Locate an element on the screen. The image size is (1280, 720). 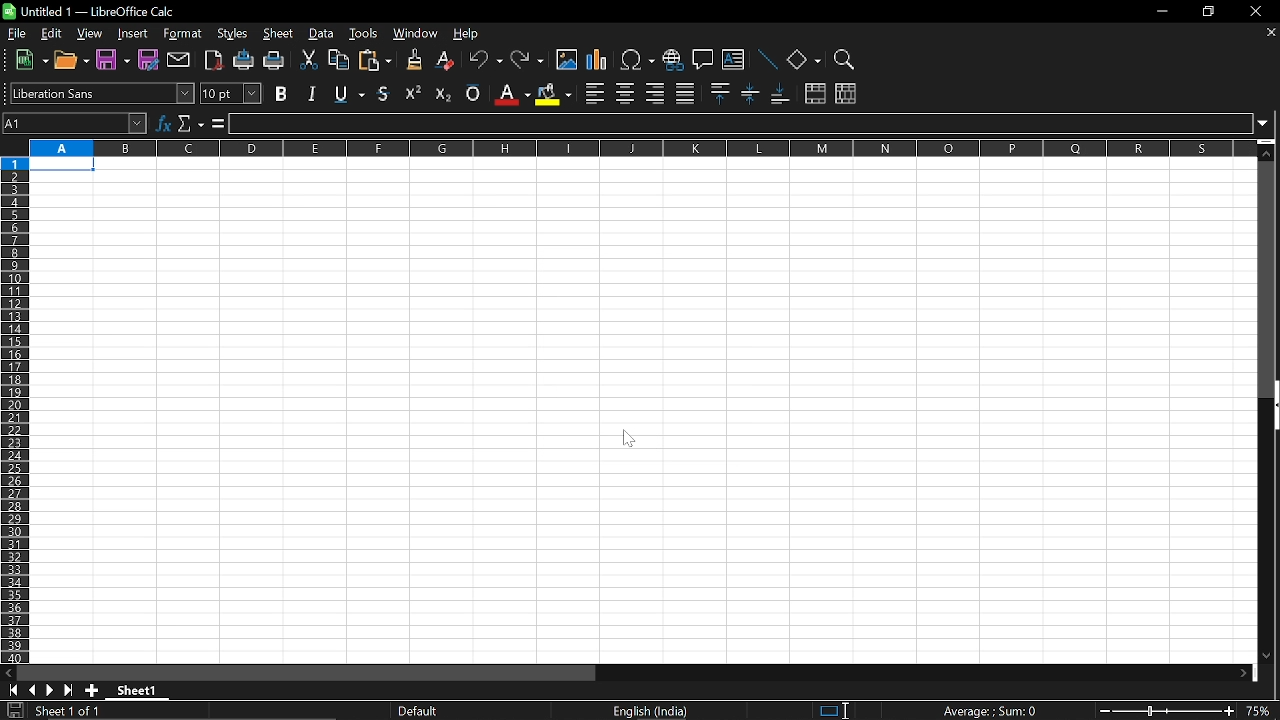
Move up is located at coordinates (1267, 153).